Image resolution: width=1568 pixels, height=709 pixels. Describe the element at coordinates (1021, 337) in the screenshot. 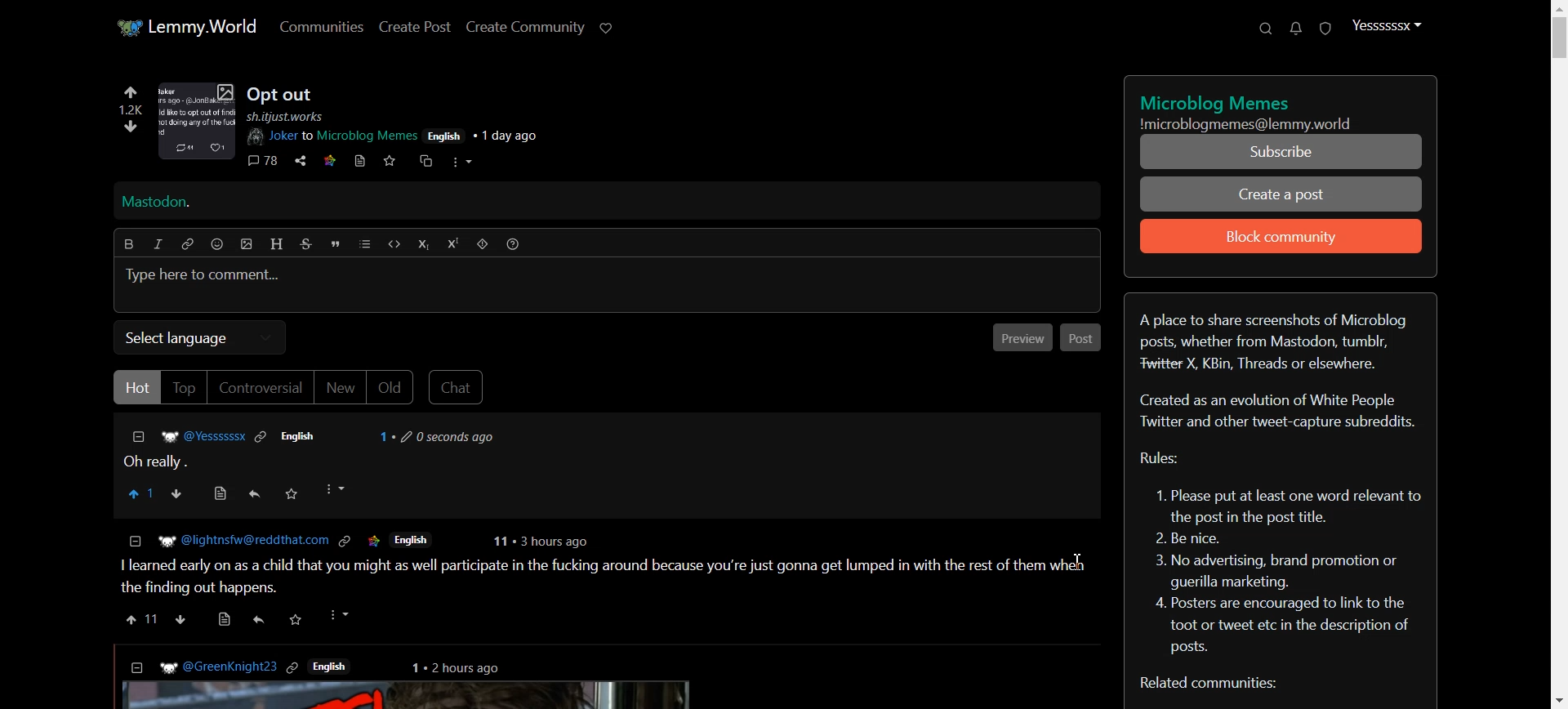

I see `Previous` at that location.